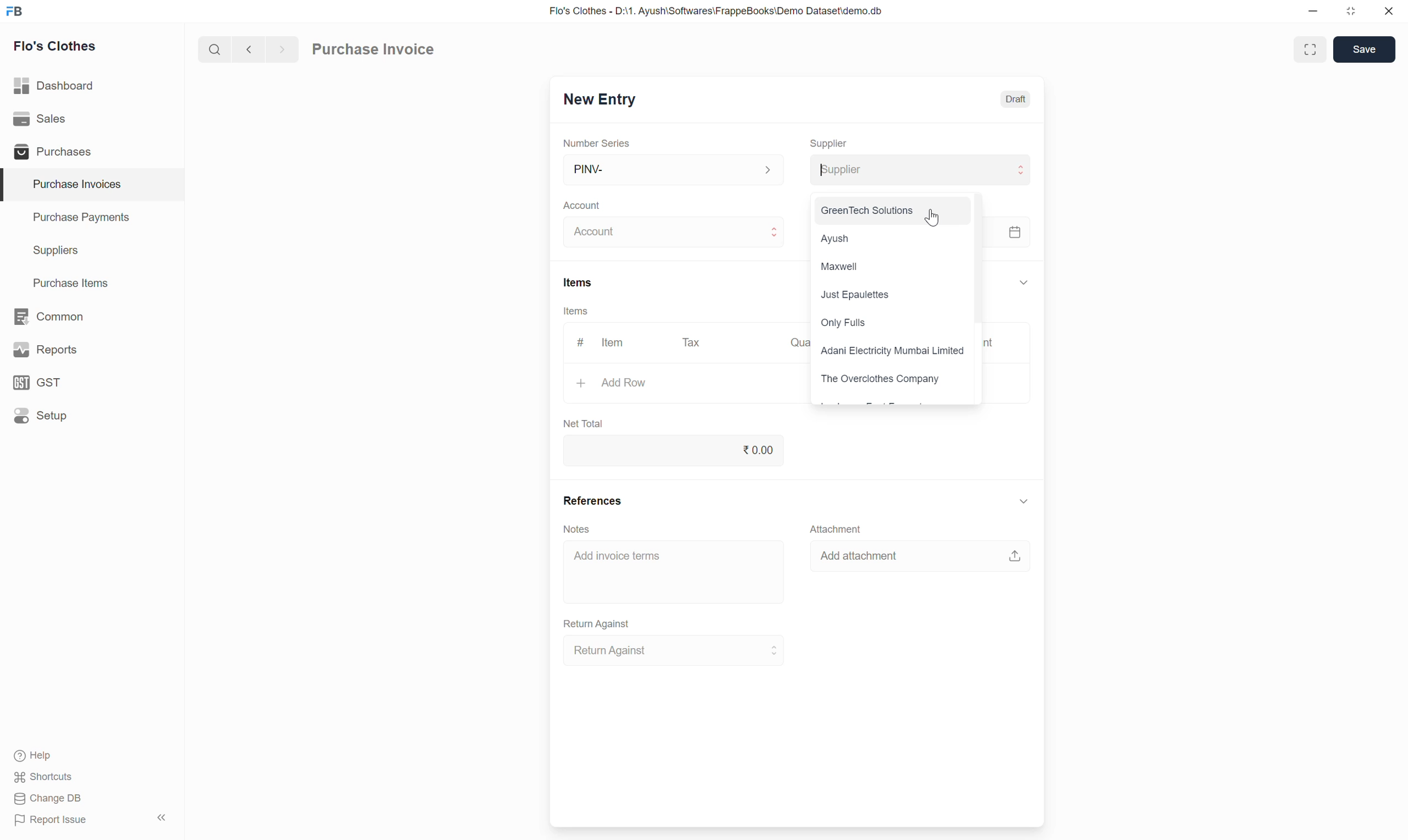 The height and width of the screenshot is (840, 1408). I want to click on Account, so click(583, 206).